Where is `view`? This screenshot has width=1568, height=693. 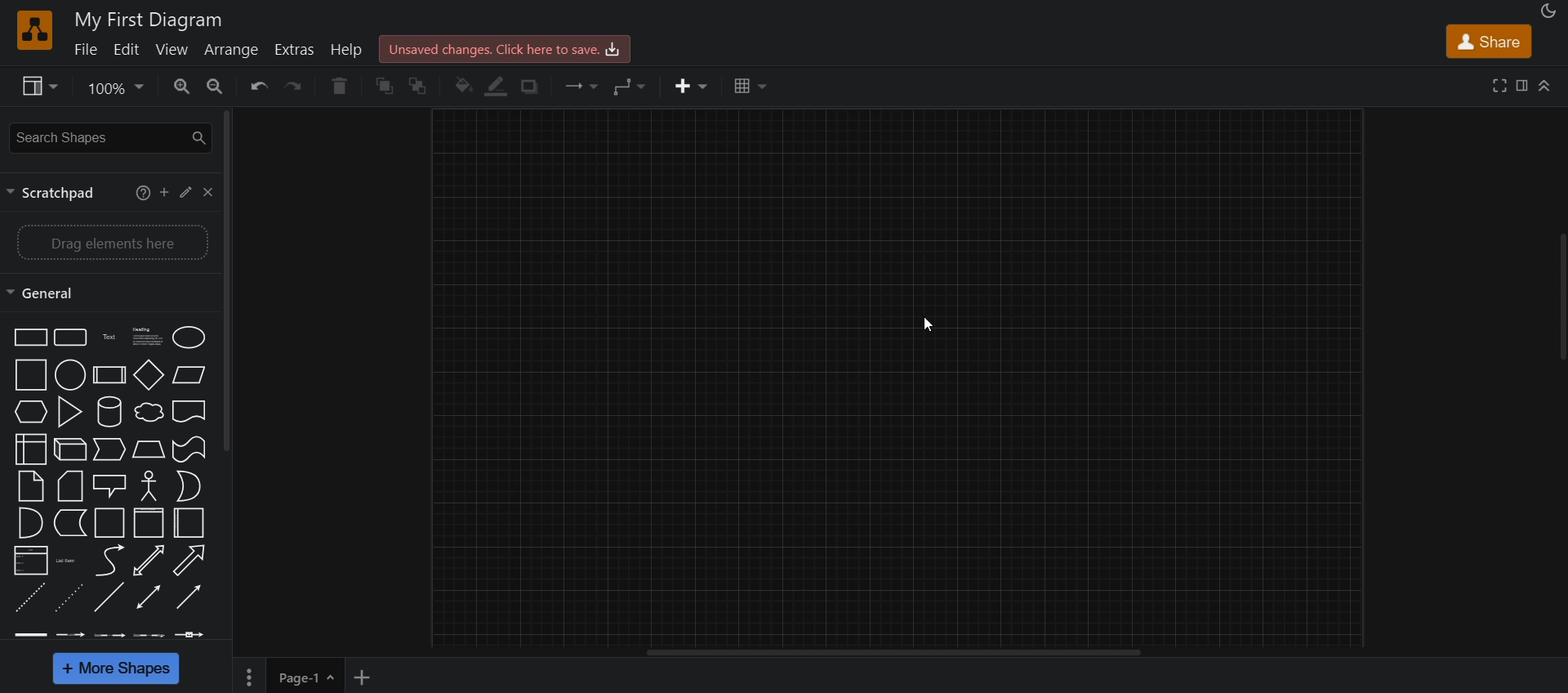 view is located at coordinates (172, 51).